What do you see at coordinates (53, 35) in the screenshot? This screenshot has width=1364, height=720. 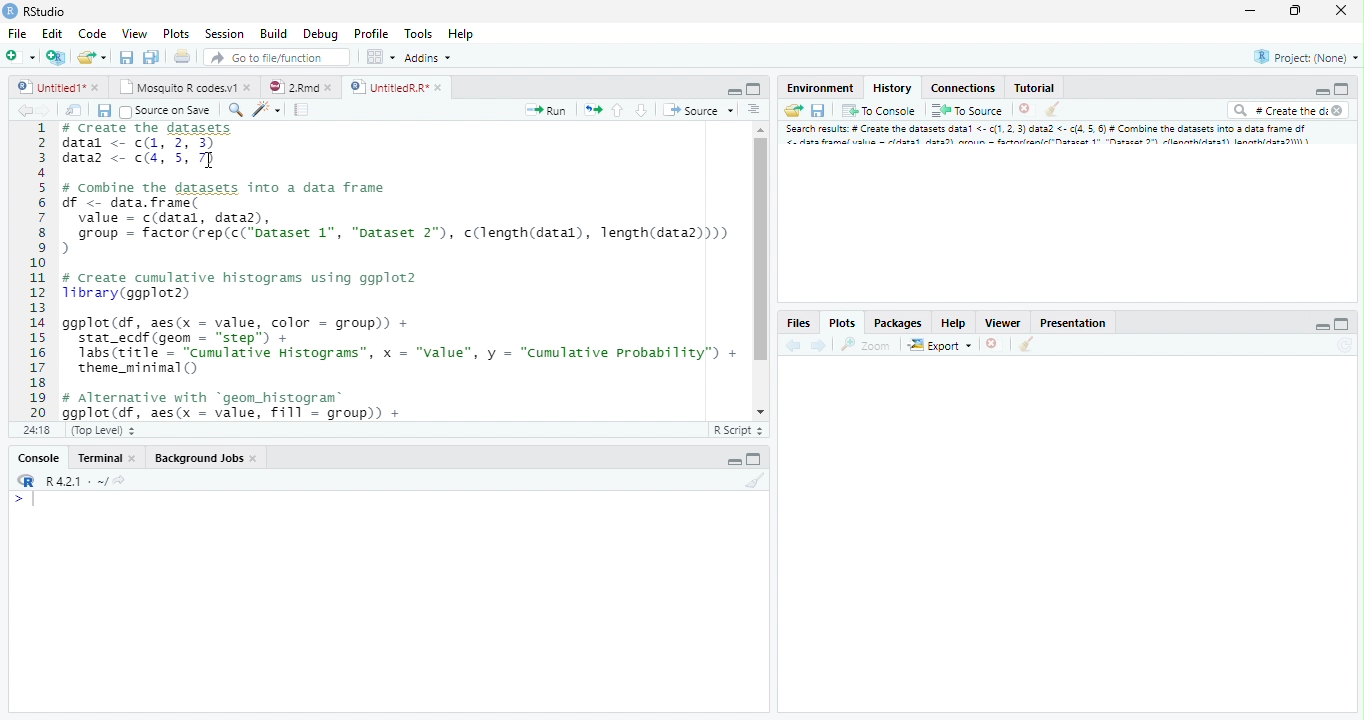 I see `Edit` at bounding box center [53, 35].